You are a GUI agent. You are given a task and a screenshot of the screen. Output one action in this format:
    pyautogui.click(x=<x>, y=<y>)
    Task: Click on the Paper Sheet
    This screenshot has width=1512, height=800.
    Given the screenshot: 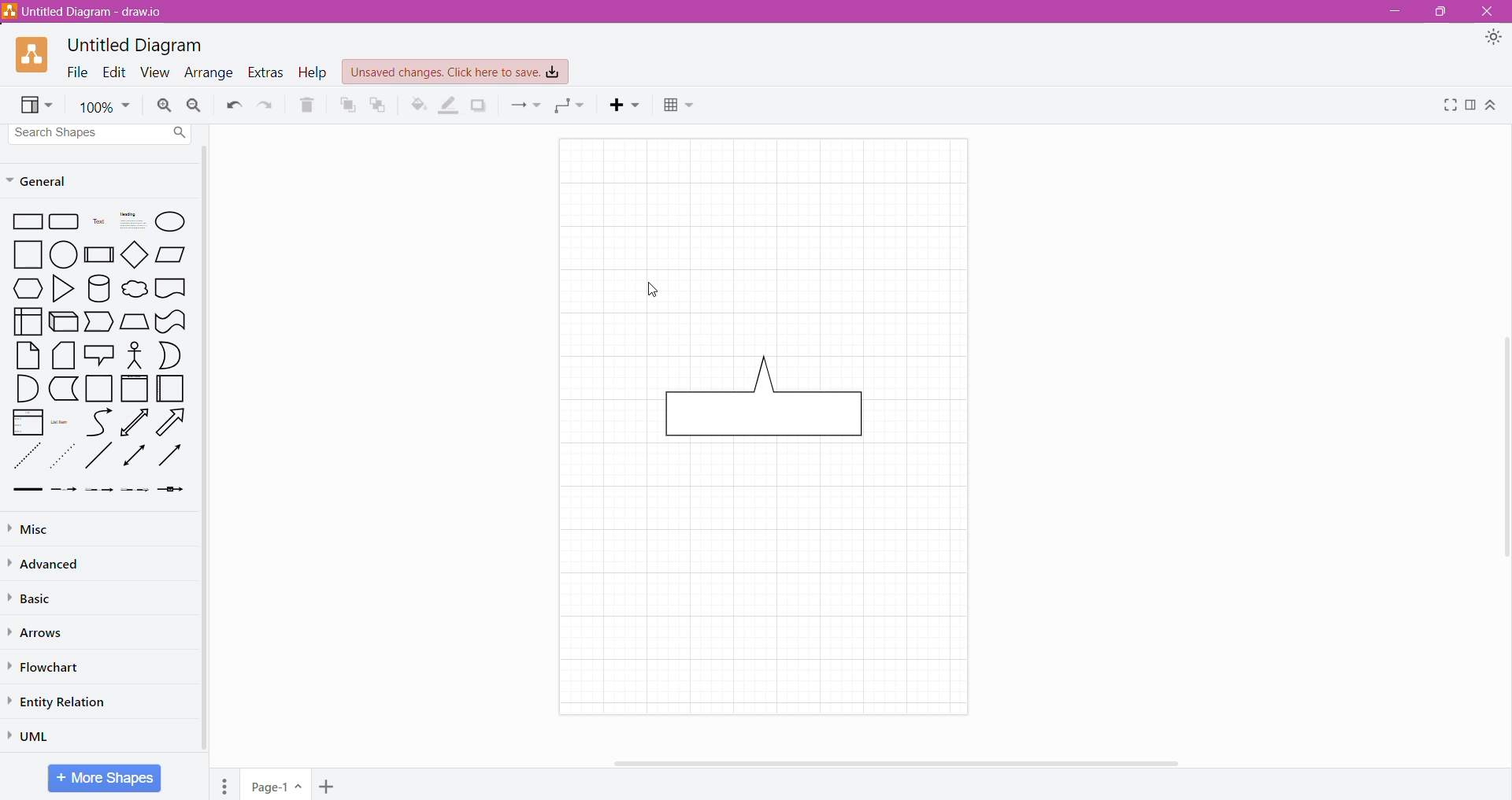 What is the action you would take?
    pyautogui.click(x=28, y=355)
    